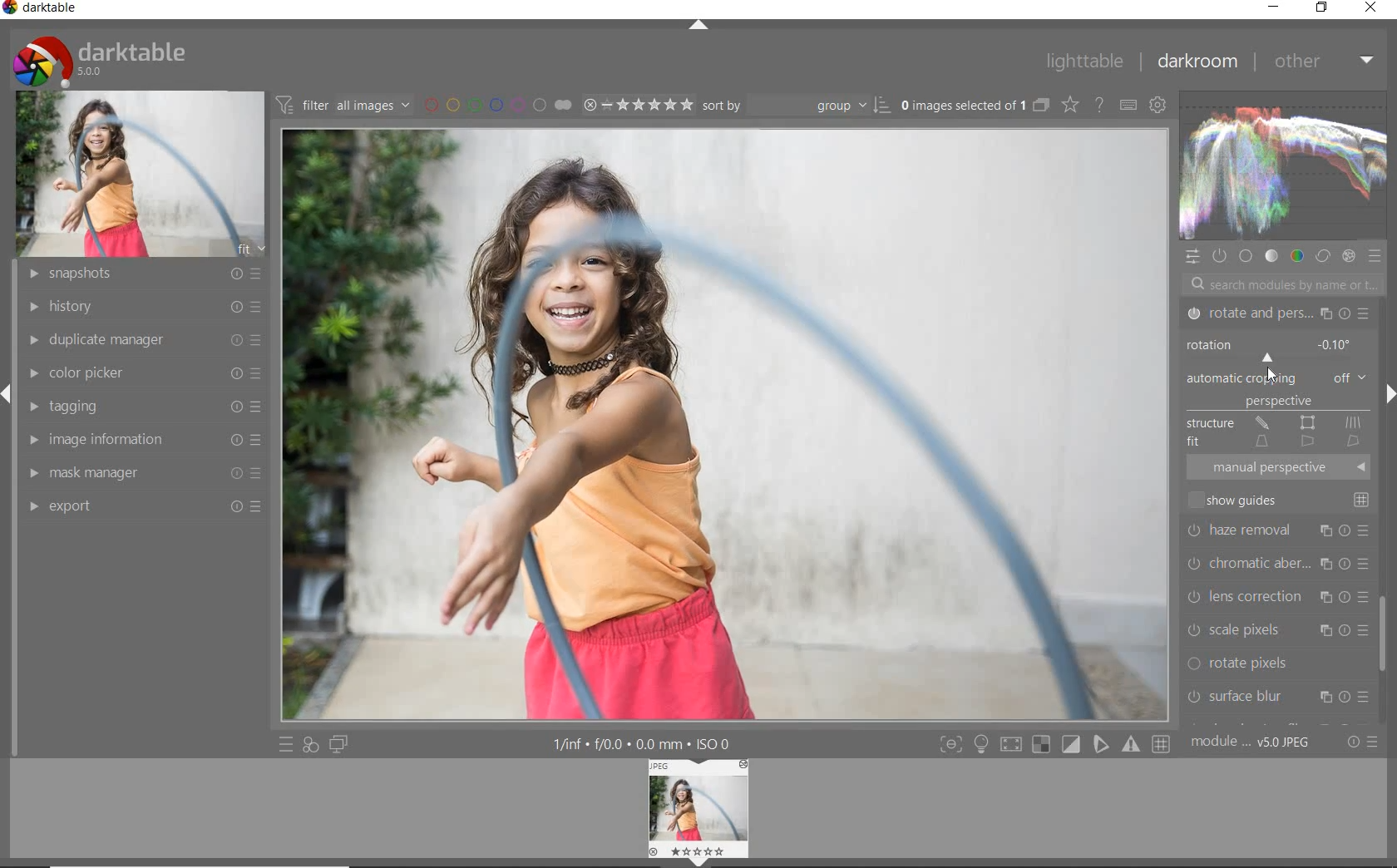 This screenshot has width=1397, height=868. What do you see at coordinates (701, 813) in the screenshot?
I see `image preview` at bounding box center [701, 813].